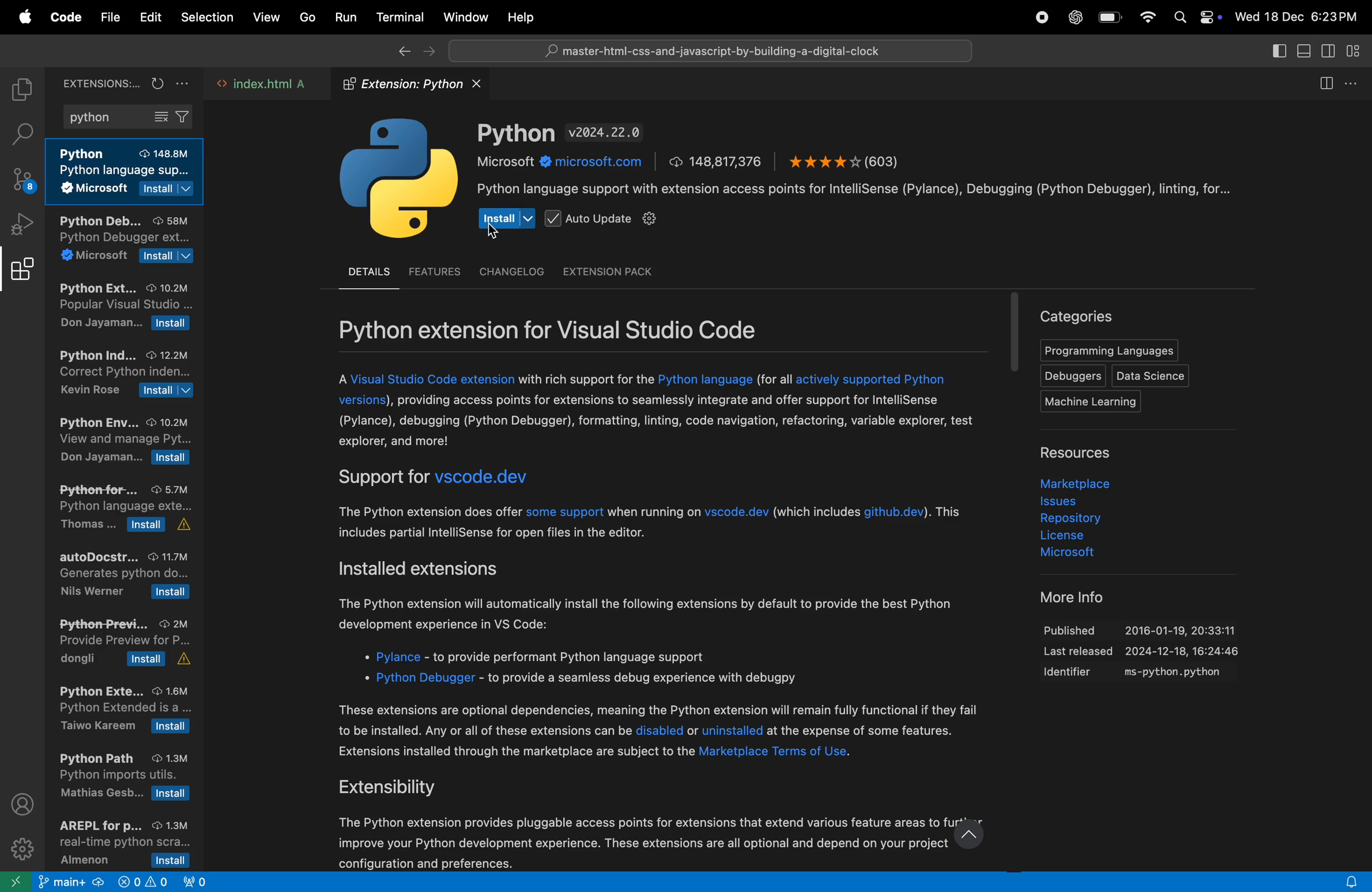  I want to click on refresh, so click(156, 82).